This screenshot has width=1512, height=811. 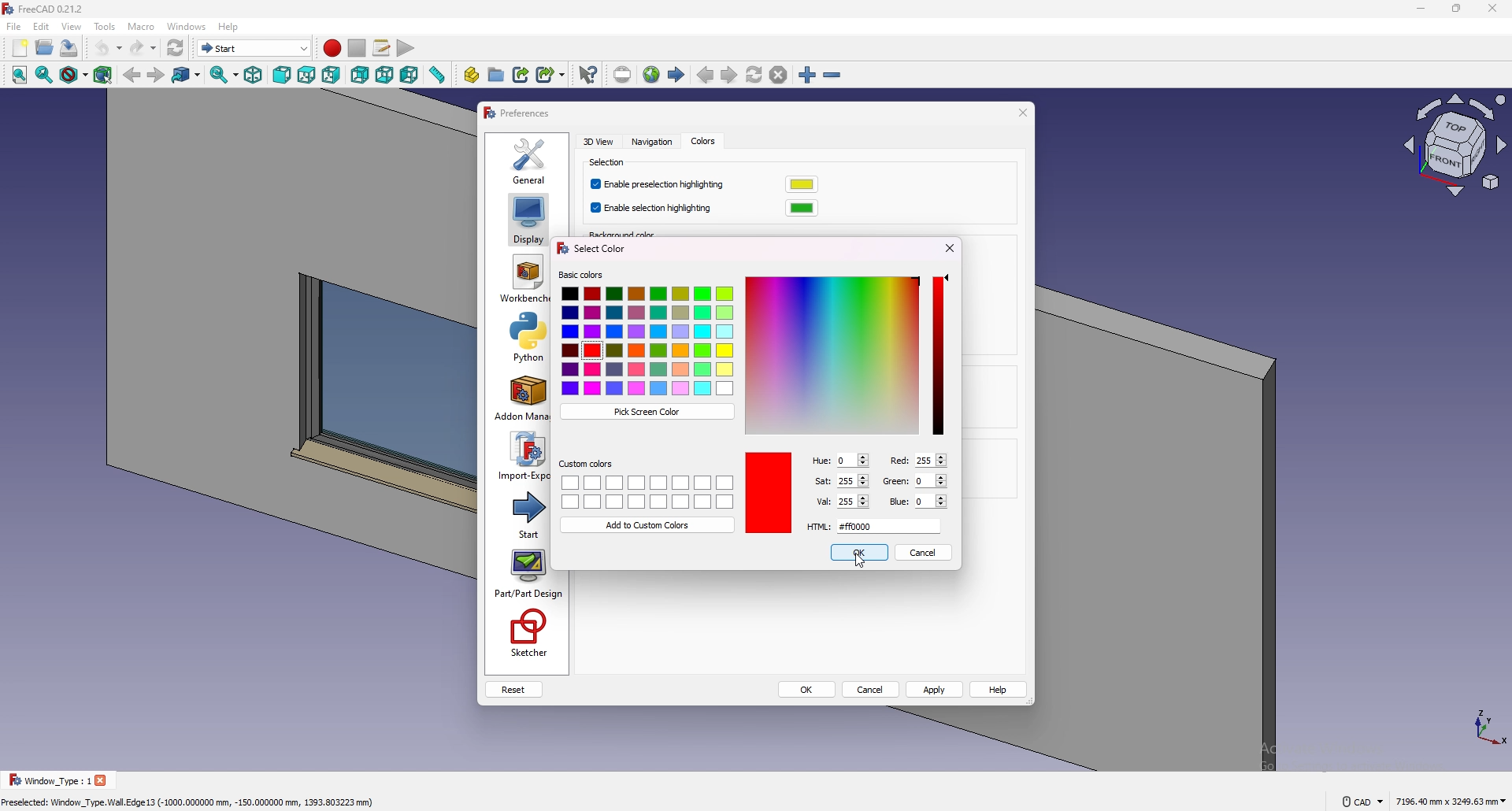 What do you see at coordinates (894, 482) in the screenshot?
I see `Green:` at bounding box center [894, 482].